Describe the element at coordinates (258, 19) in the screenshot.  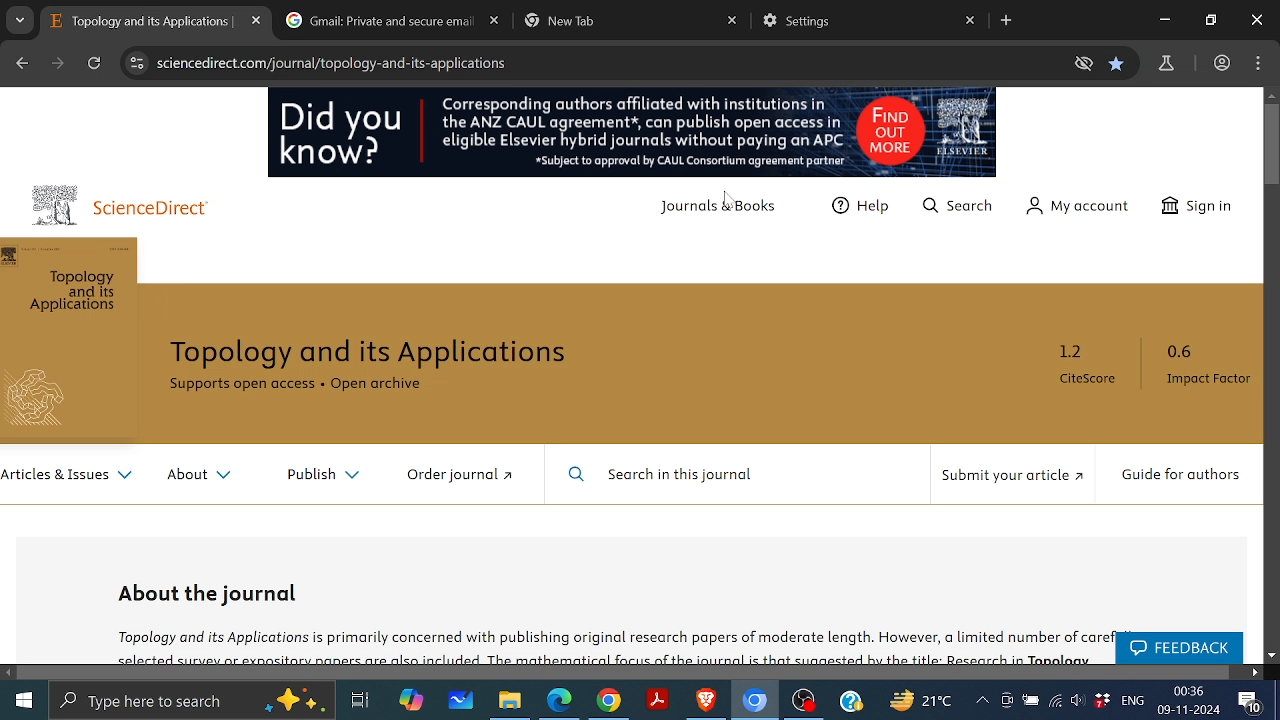
I see `Close 1st tab` at that location.